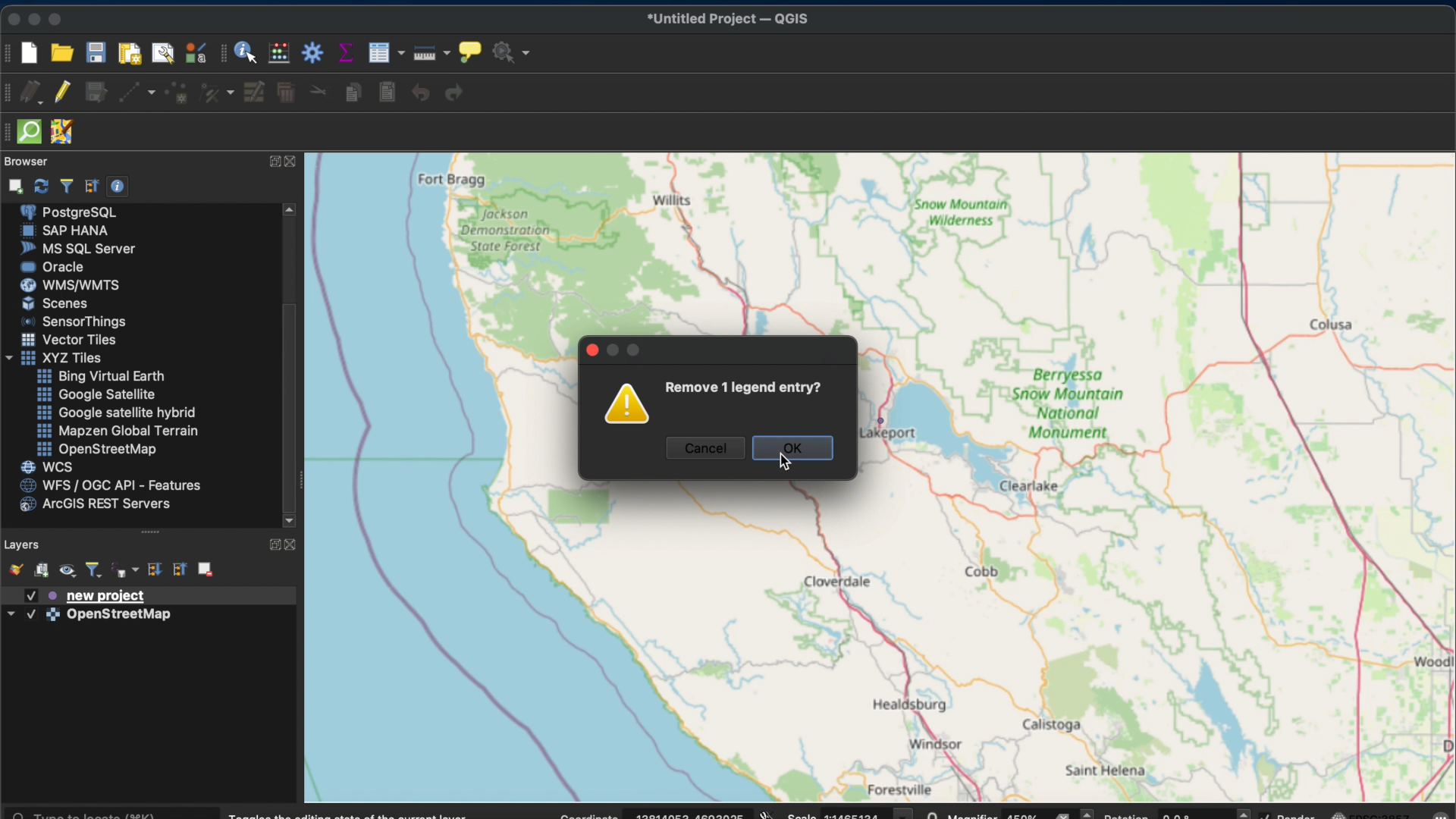  What do you see at coordinates (312, 51) in the screenshot?
I see `toolbox` at bounding box center [312, 51].